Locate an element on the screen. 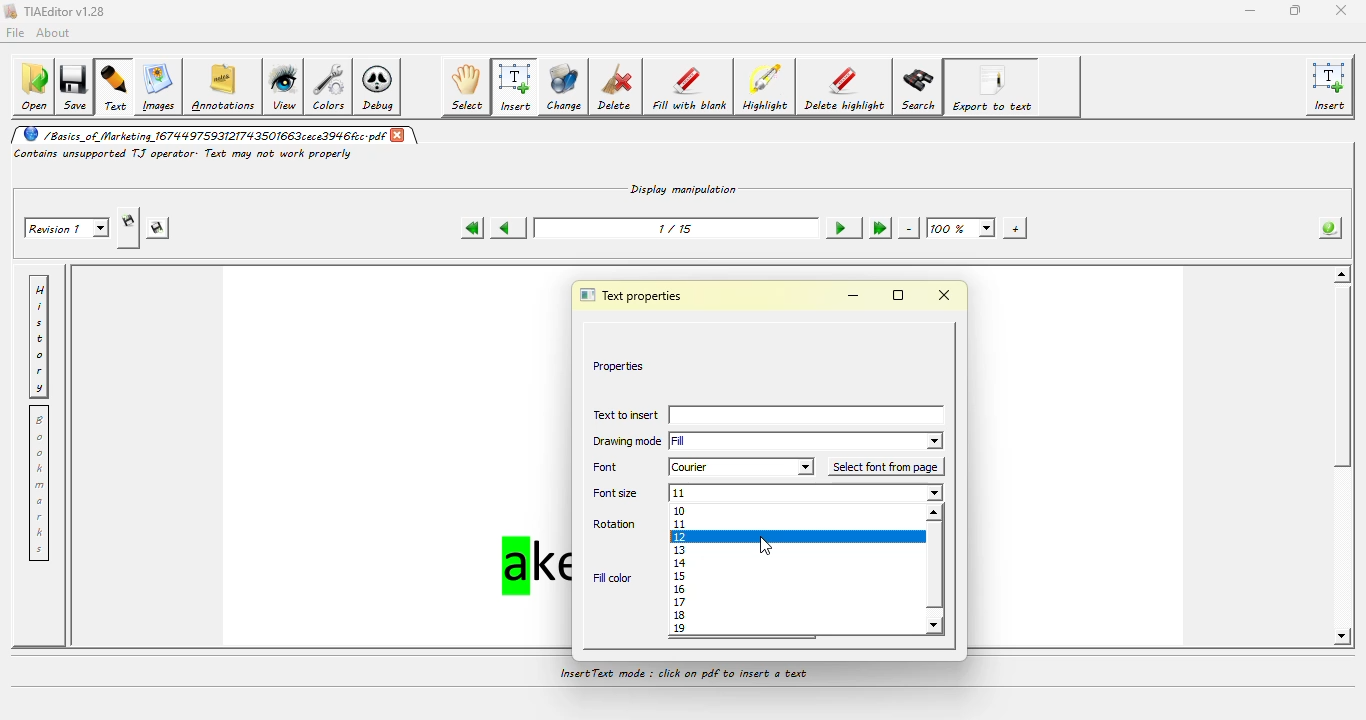 The image size is (1366, 720). Text properties is located at coordinates (635, 294).